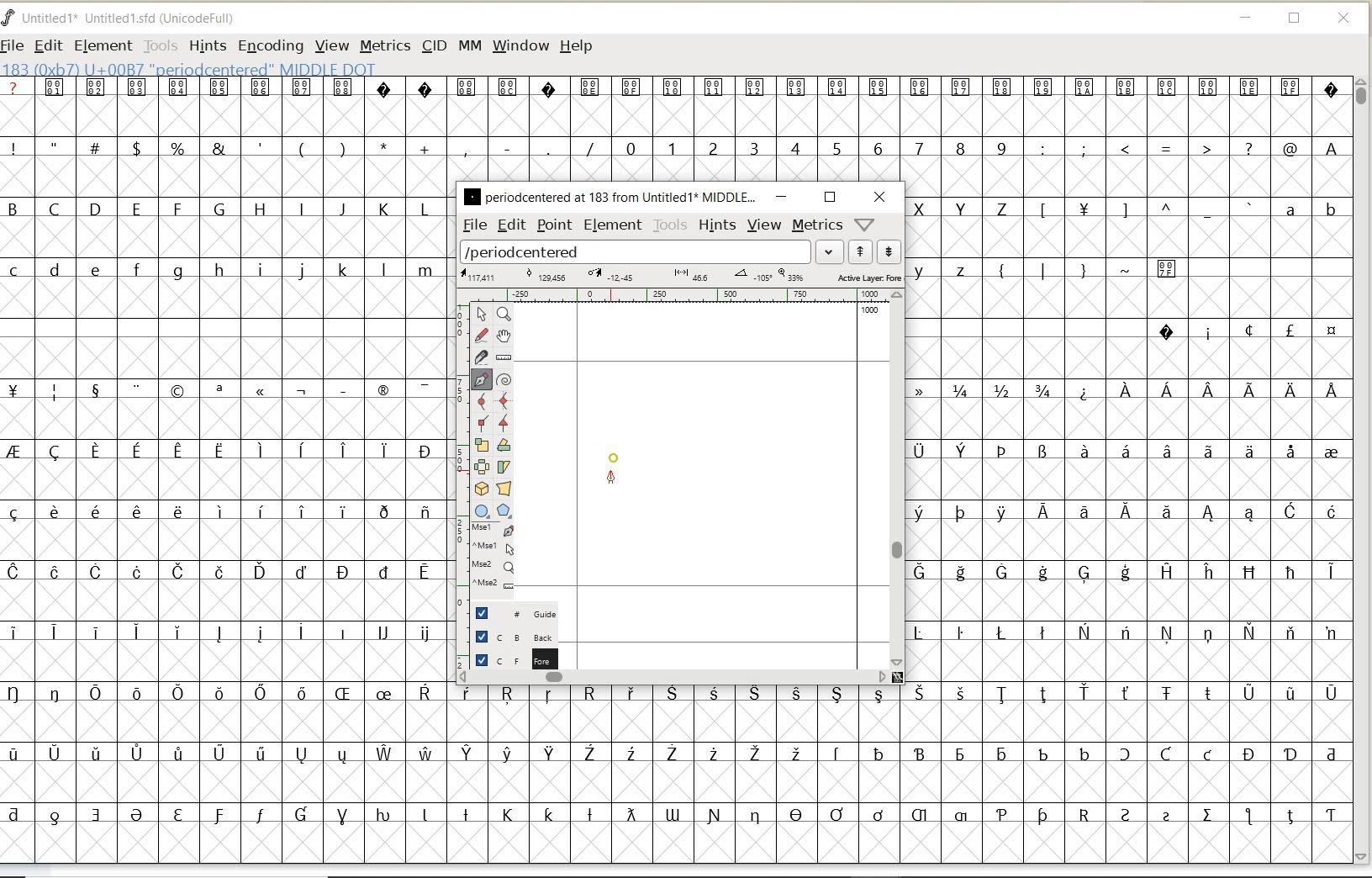 Image resolution: width=1372 pixels, height=878 pixels. What do you see at coordinates (863, 225) in the screenshot?
I see `help/window` at bounding box center [863, 225].